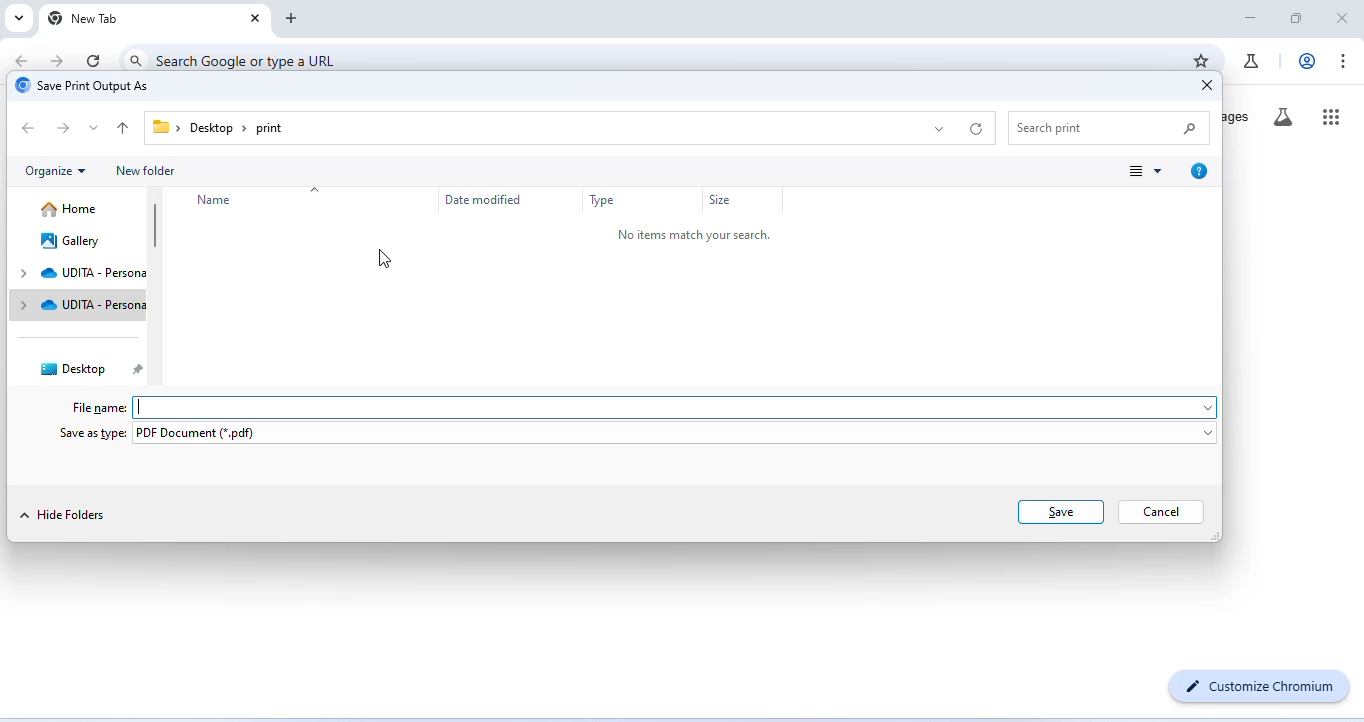 The width and height of the screenshot is (1364, 722). Describe the element at coordinates (978, 129) in the screenshot. I see `refresh` at that location.